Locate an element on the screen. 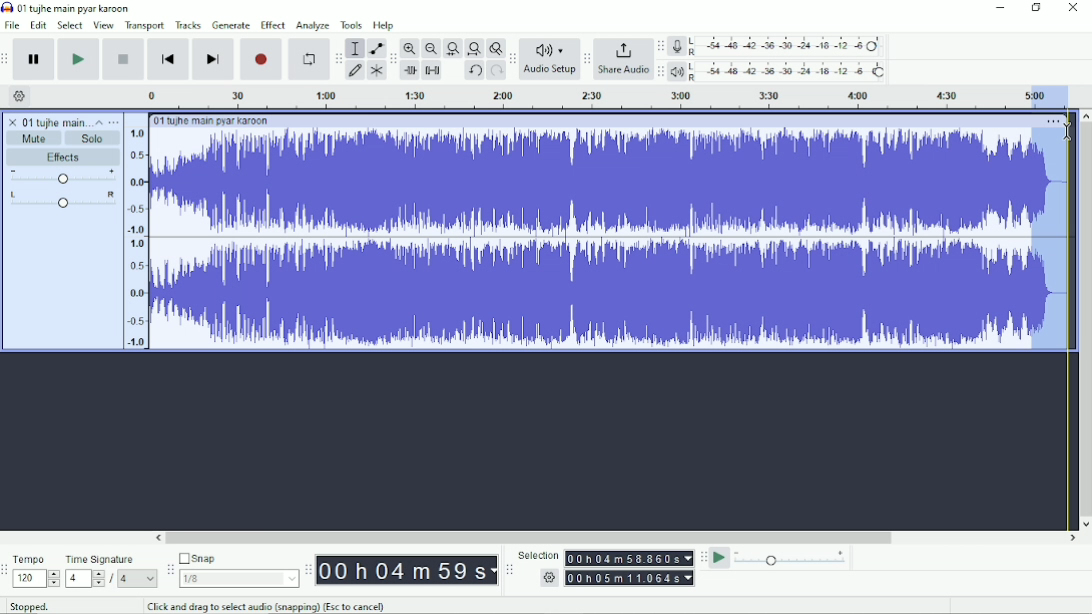  Share Audio is located at coordinates (624, 58).